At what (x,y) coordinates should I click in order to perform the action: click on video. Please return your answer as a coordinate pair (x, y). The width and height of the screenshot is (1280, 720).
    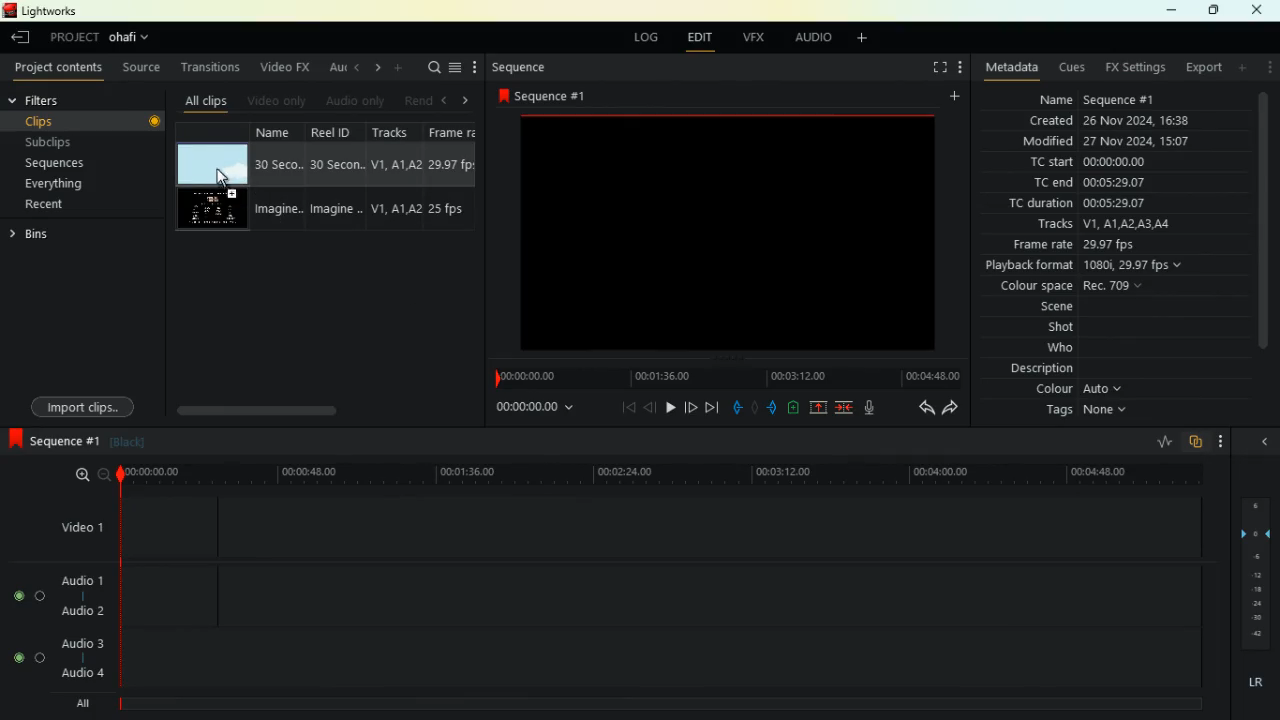
    Looking at the image, I should click on (213, 162).